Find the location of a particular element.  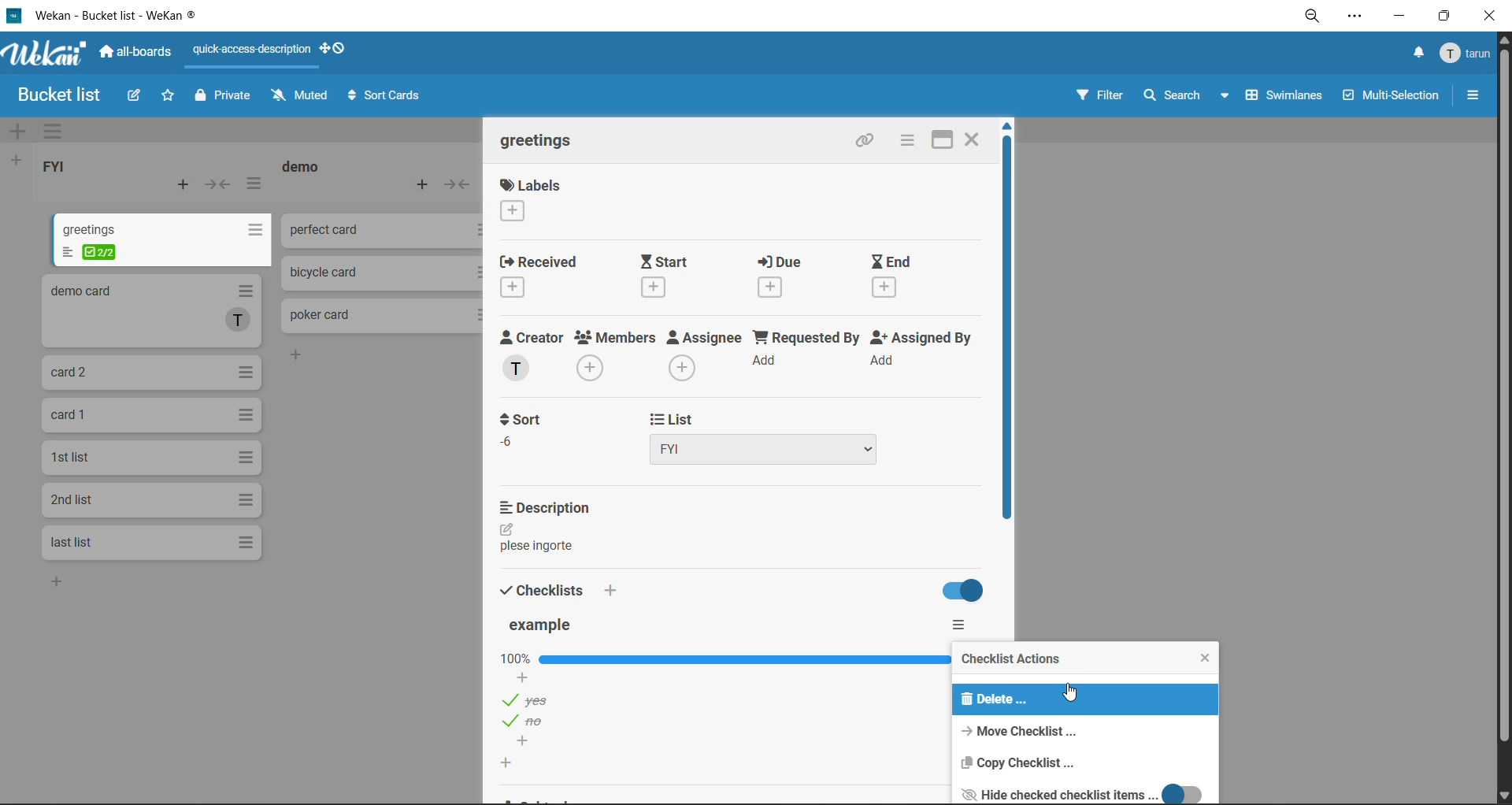

hide checklist options is located at coordinates (965, 592).